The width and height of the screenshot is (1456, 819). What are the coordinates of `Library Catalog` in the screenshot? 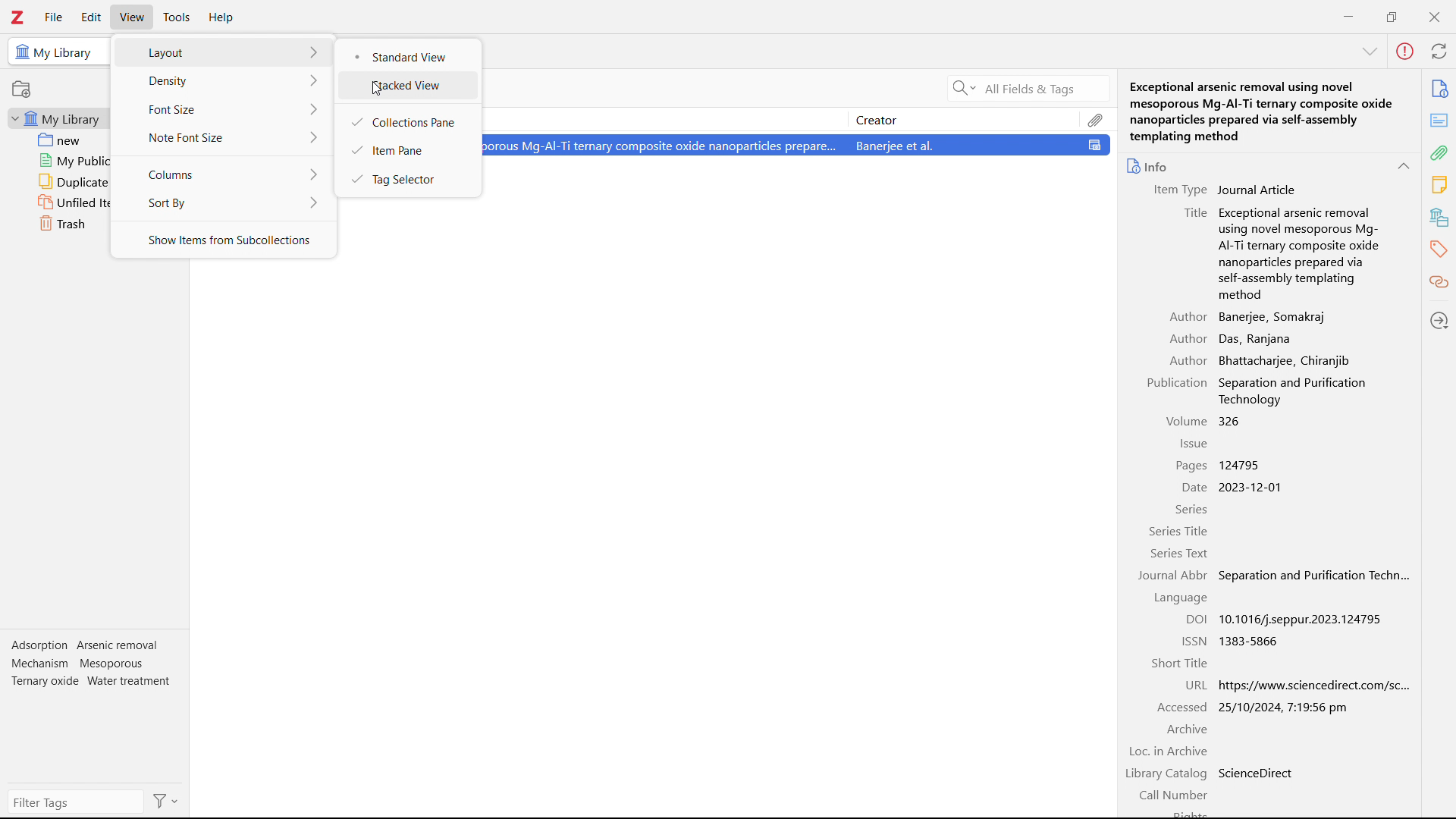 It's located at (1165, 773).